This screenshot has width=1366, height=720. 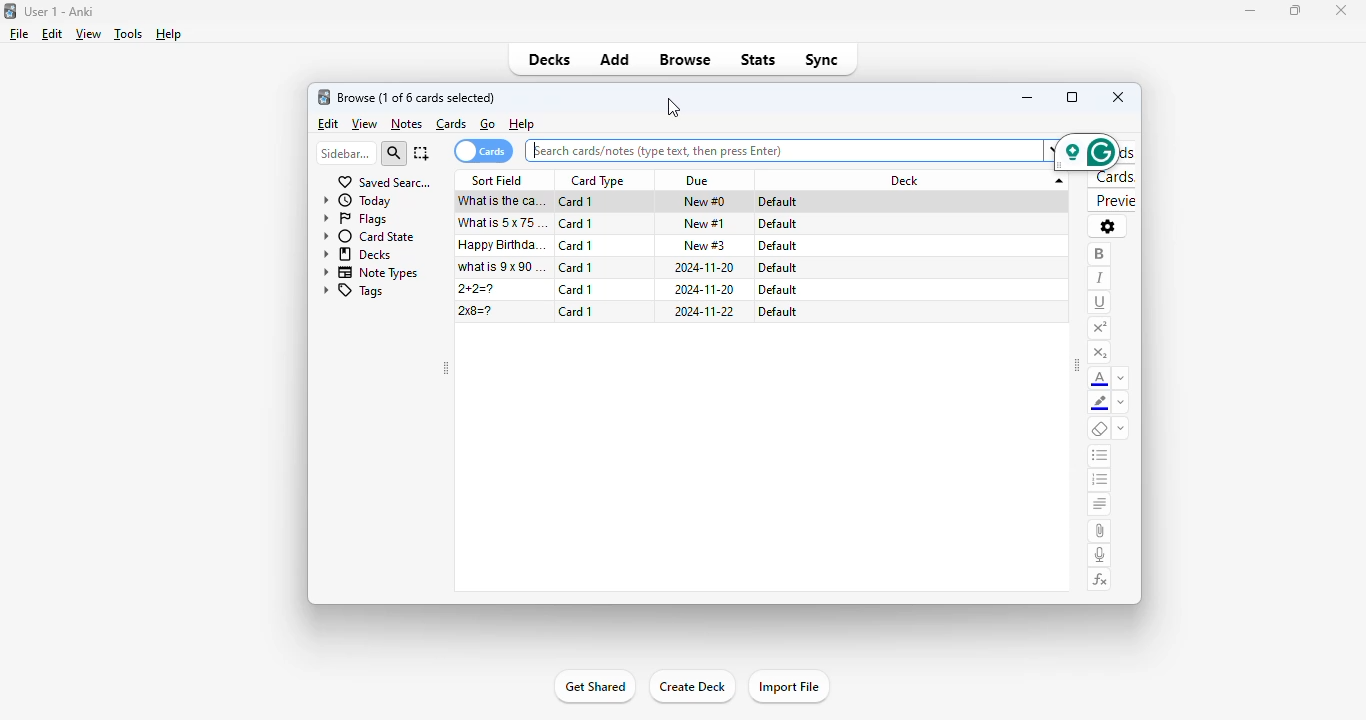 I want to click on maximize, so click(x=1072, y=96).